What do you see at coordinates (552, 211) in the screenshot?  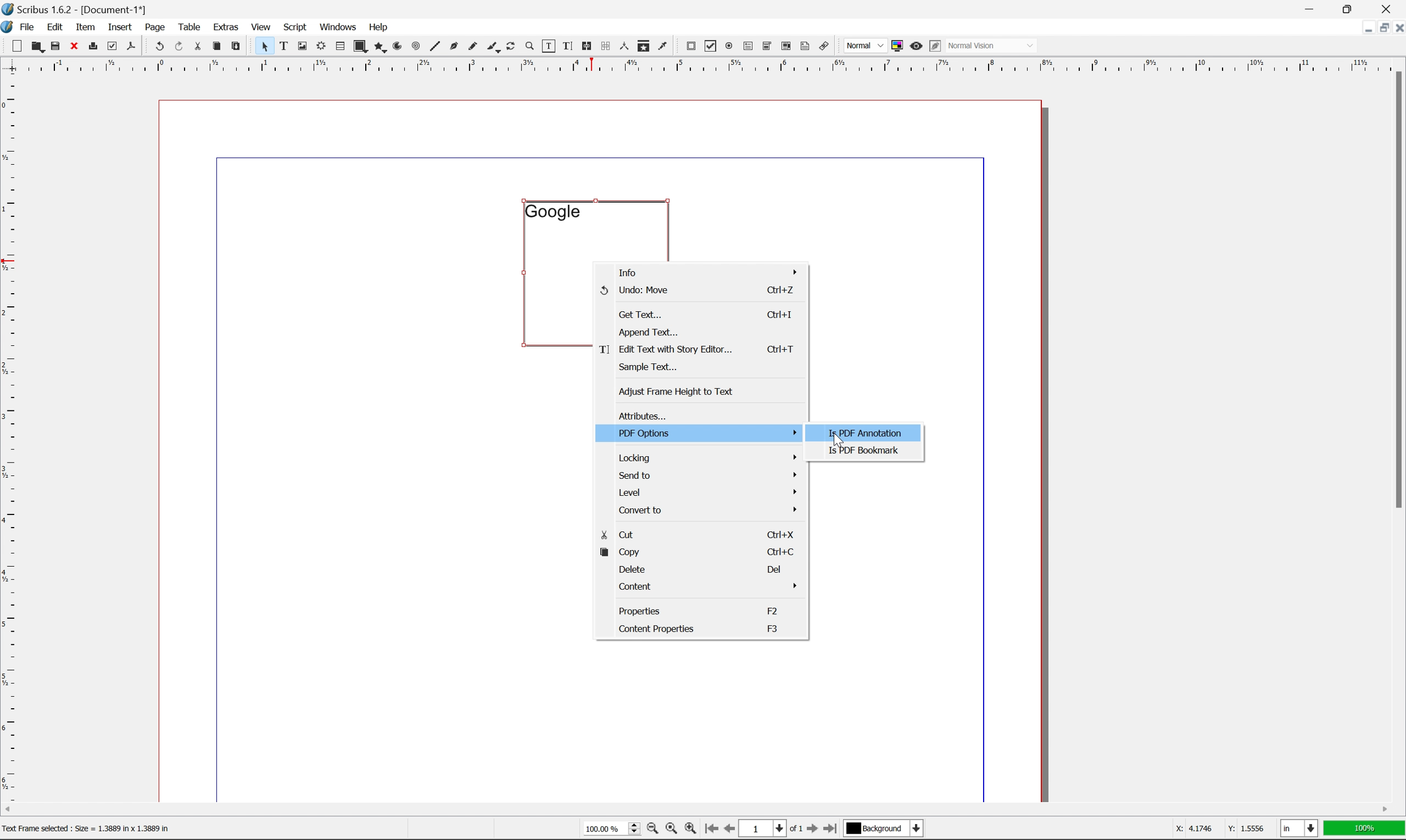 I see `google` at bounding box center [552, 211].